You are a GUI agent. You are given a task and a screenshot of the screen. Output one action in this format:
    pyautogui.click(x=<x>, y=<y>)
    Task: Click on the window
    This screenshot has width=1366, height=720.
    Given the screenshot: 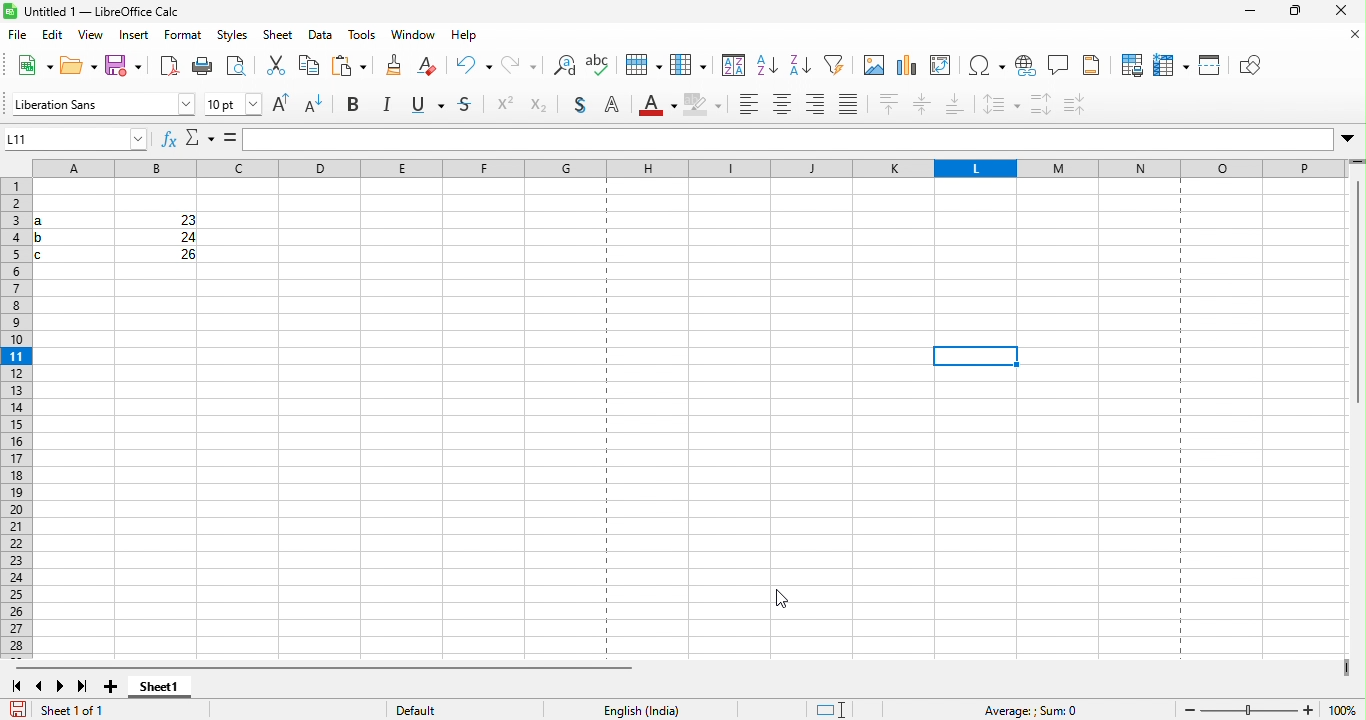 What is the action you would take?
    pyautogui.click(x=409, y=38)
    